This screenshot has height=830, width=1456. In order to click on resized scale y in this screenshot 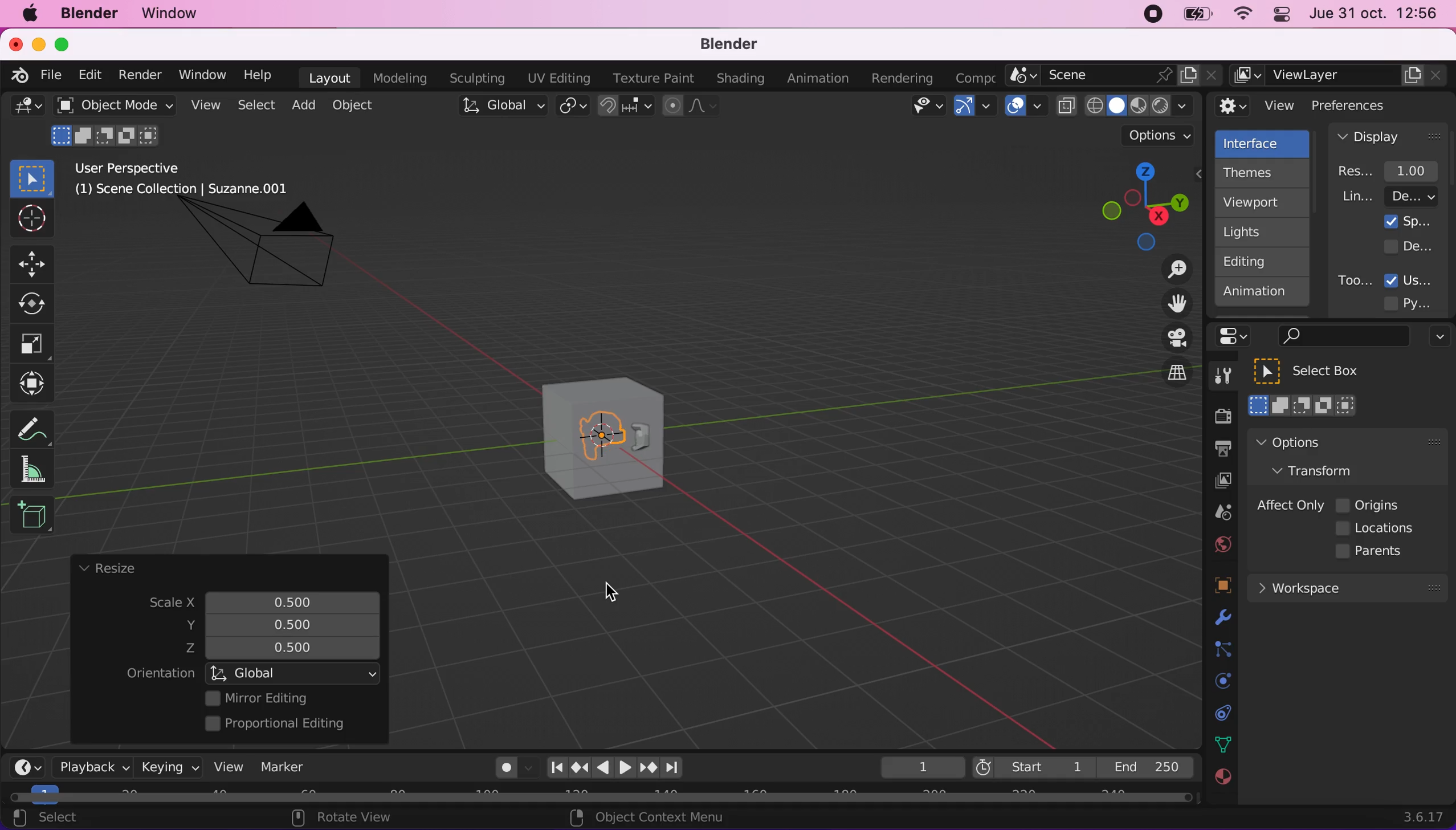, I will do `click(303, 625)`.